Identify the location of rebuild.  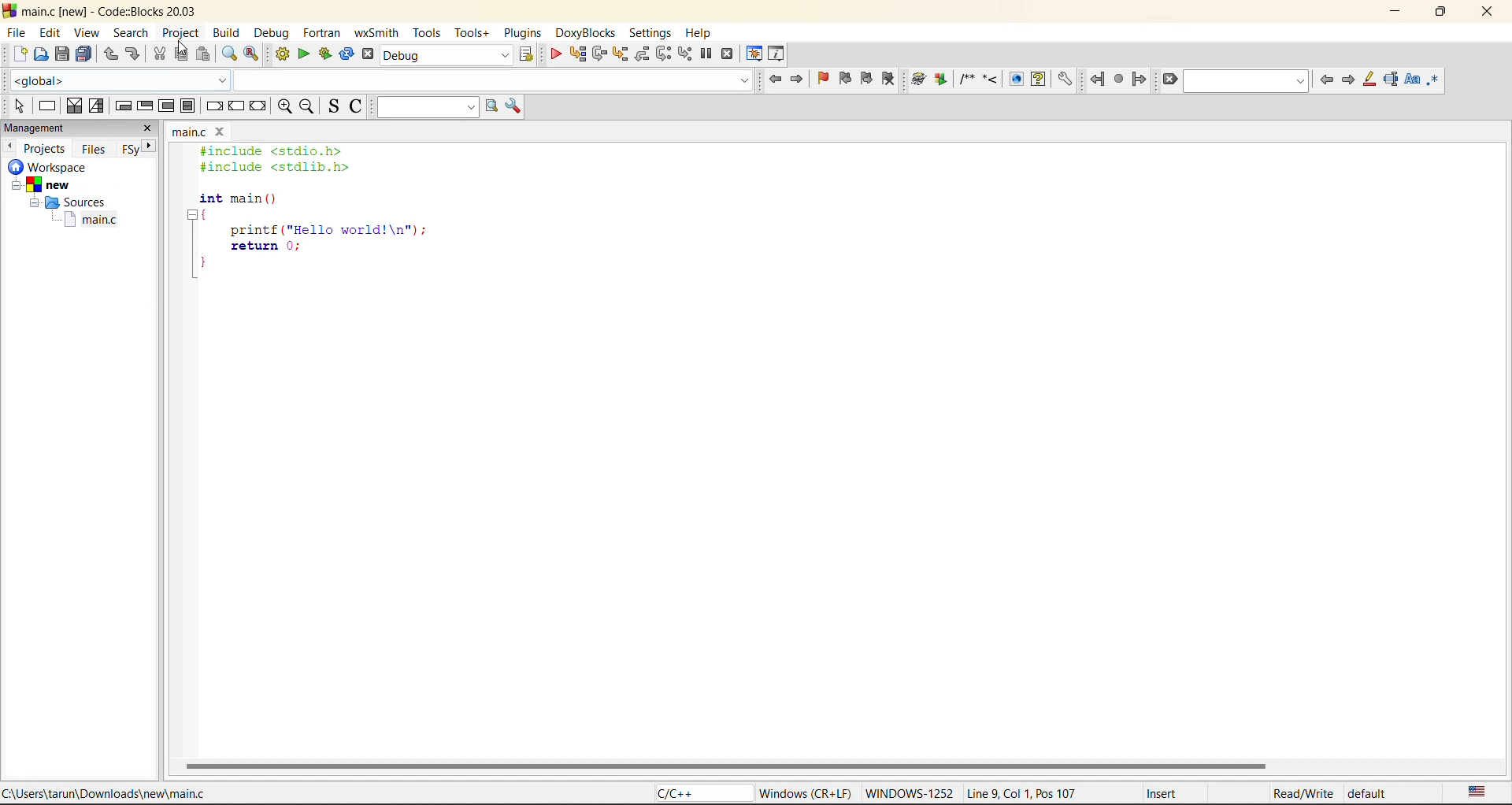
(345, 54).